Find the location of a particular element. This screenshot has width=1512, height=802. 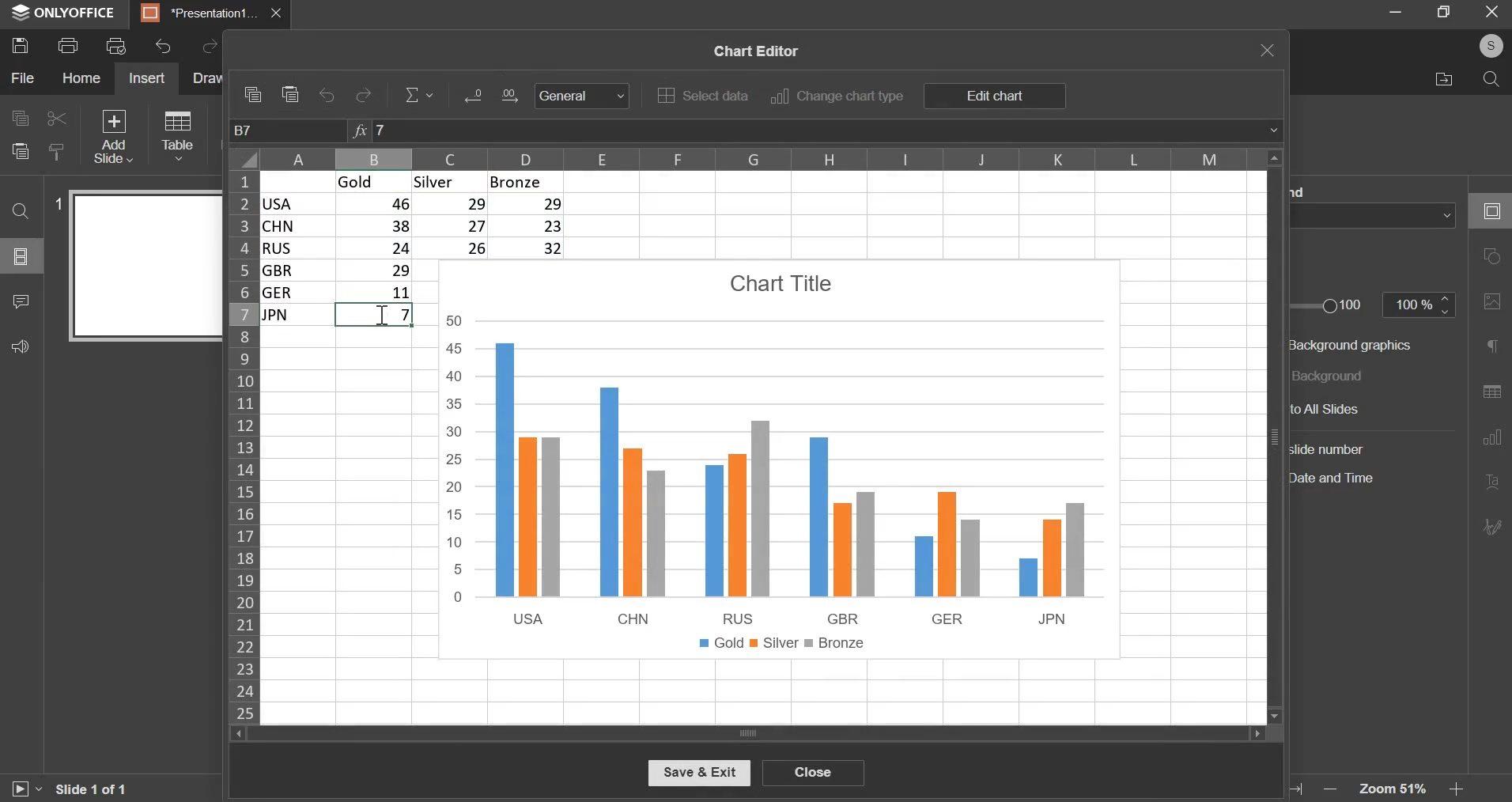

to all slides is located at coordinates (1351, 409).